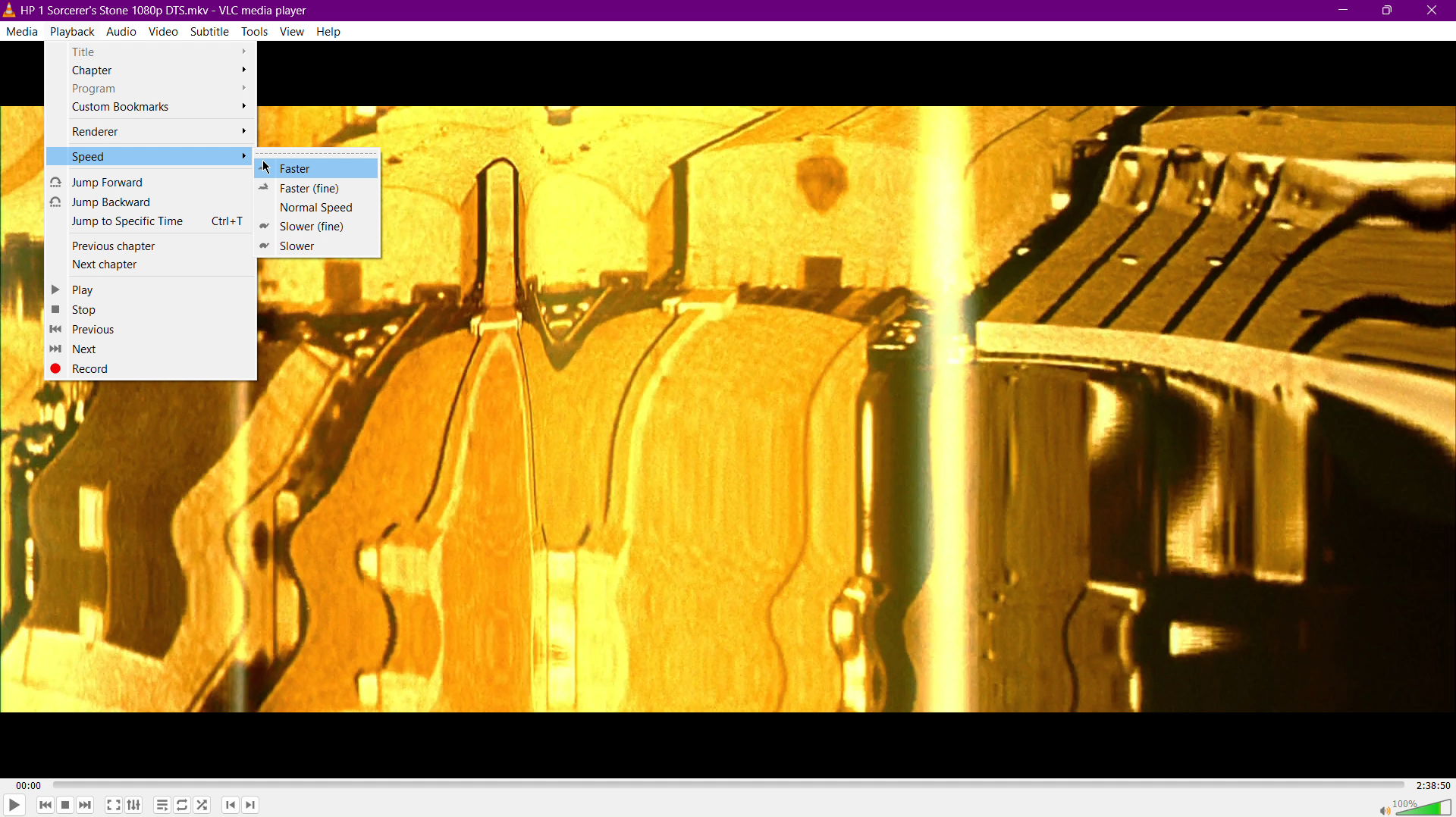 Image resolution: width=1456 pixels, height=817 pixels. I want to click on Minimize, so click(1343, 11).